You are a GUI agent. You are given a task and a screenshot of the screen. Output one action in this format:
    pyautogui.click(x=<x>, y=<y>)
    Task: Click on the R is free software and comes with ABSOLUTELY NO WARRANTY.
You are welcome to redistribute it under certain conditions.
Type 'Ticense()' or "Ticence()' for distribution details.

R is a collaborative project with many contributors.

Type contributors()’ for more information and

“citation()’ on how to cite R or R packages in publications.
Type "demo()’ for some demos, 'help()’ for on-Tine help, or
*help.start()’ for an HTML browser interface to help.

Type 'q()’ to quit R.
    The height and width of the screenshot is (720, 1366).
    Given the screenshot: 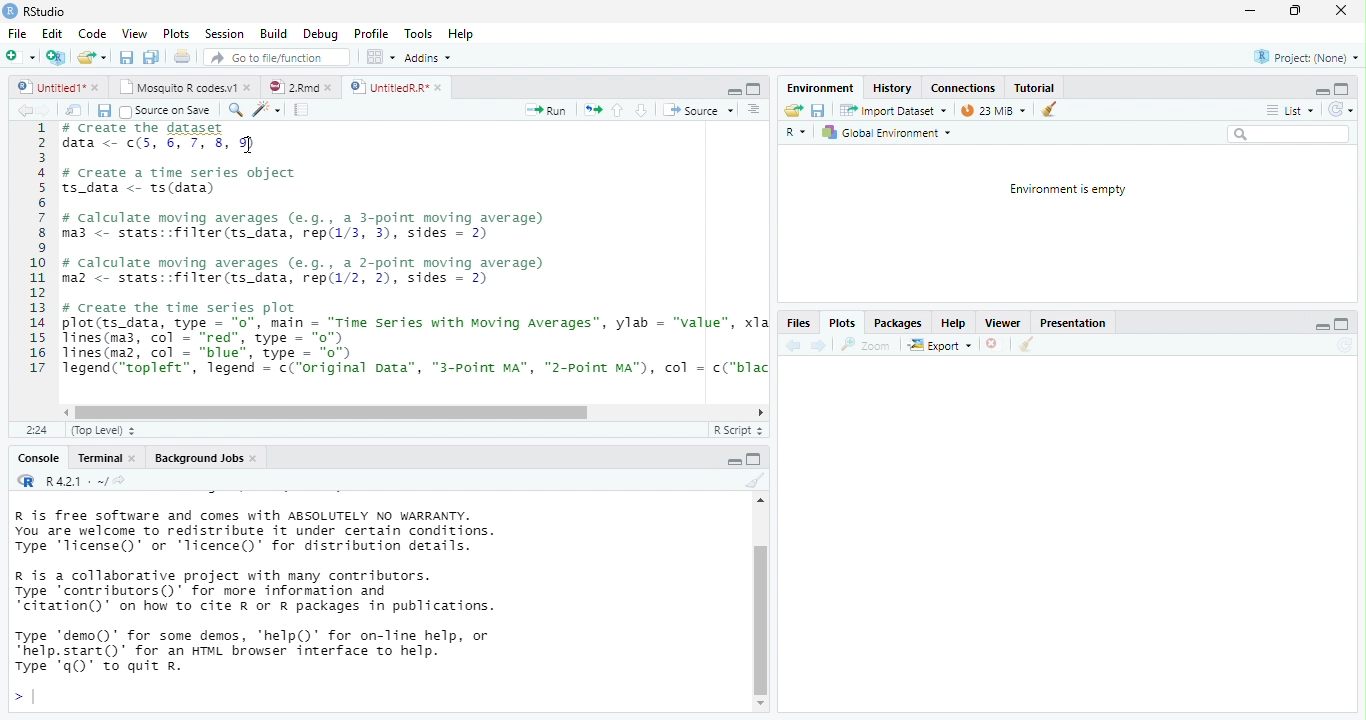 What is the action you would take?
    pyautogui.click(x=340, y=591)
    